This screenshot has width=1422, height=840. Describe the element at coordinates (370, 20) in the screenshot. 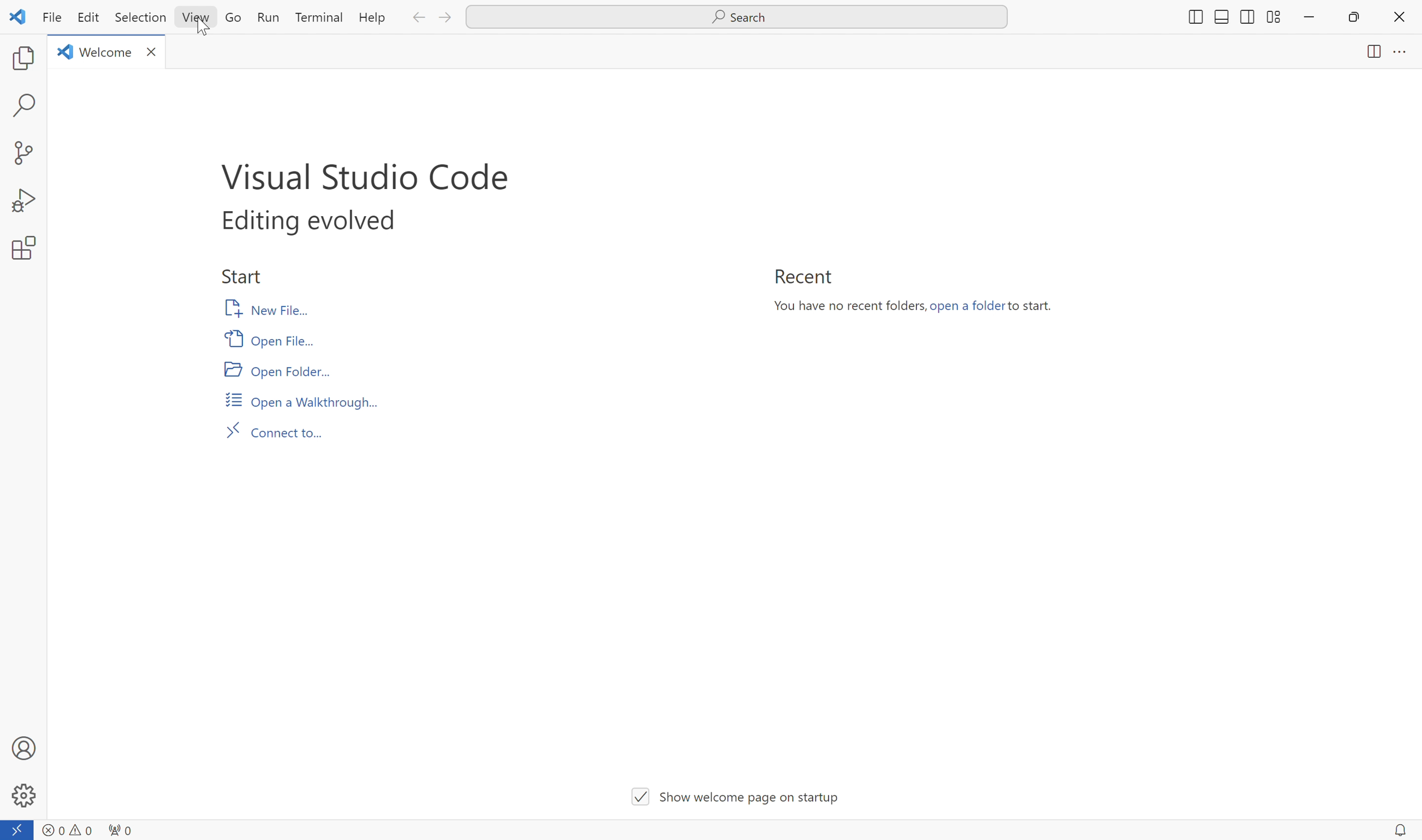

I see `Help` at that location.